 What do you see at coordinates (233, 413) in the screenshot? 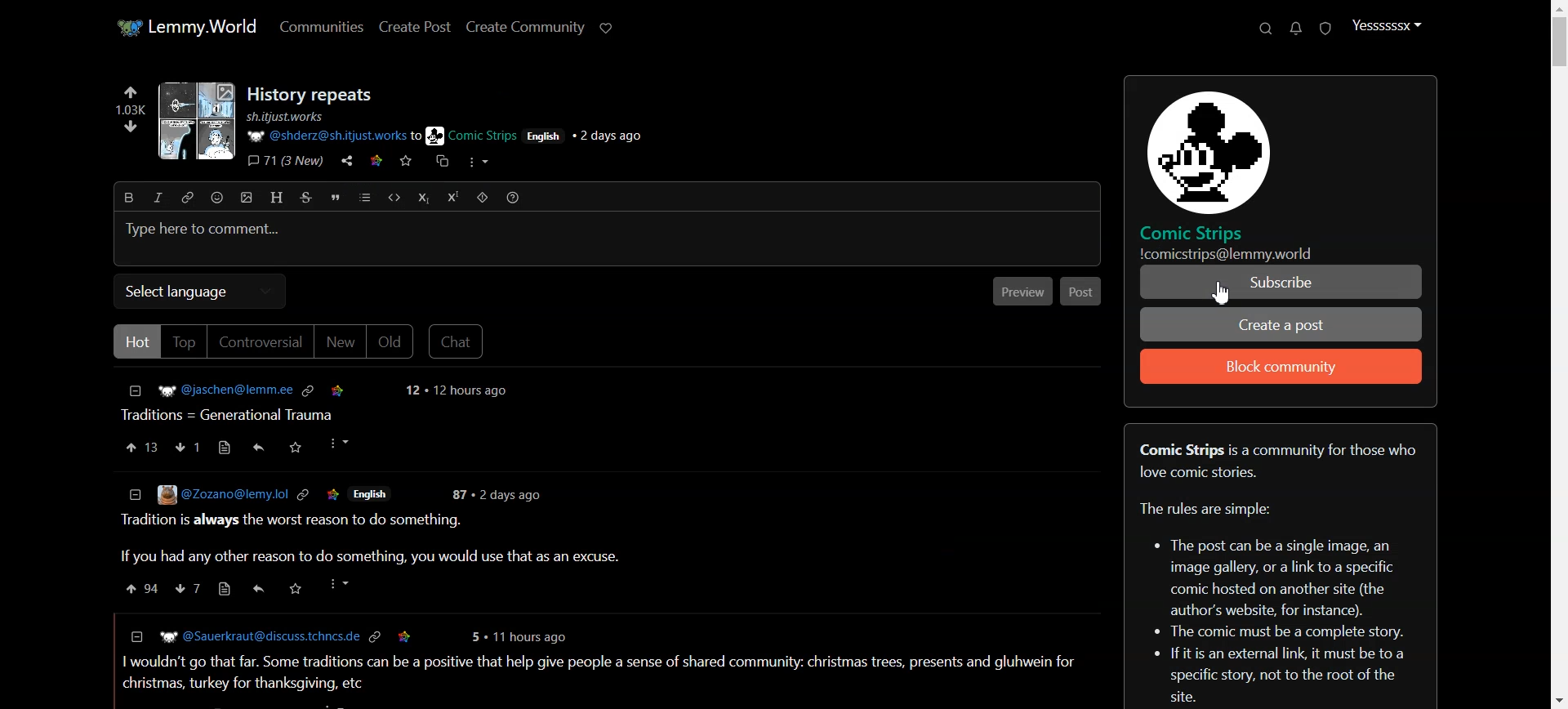
I see `Traditions = Generational Trauma` at bounding box center [233, 413].